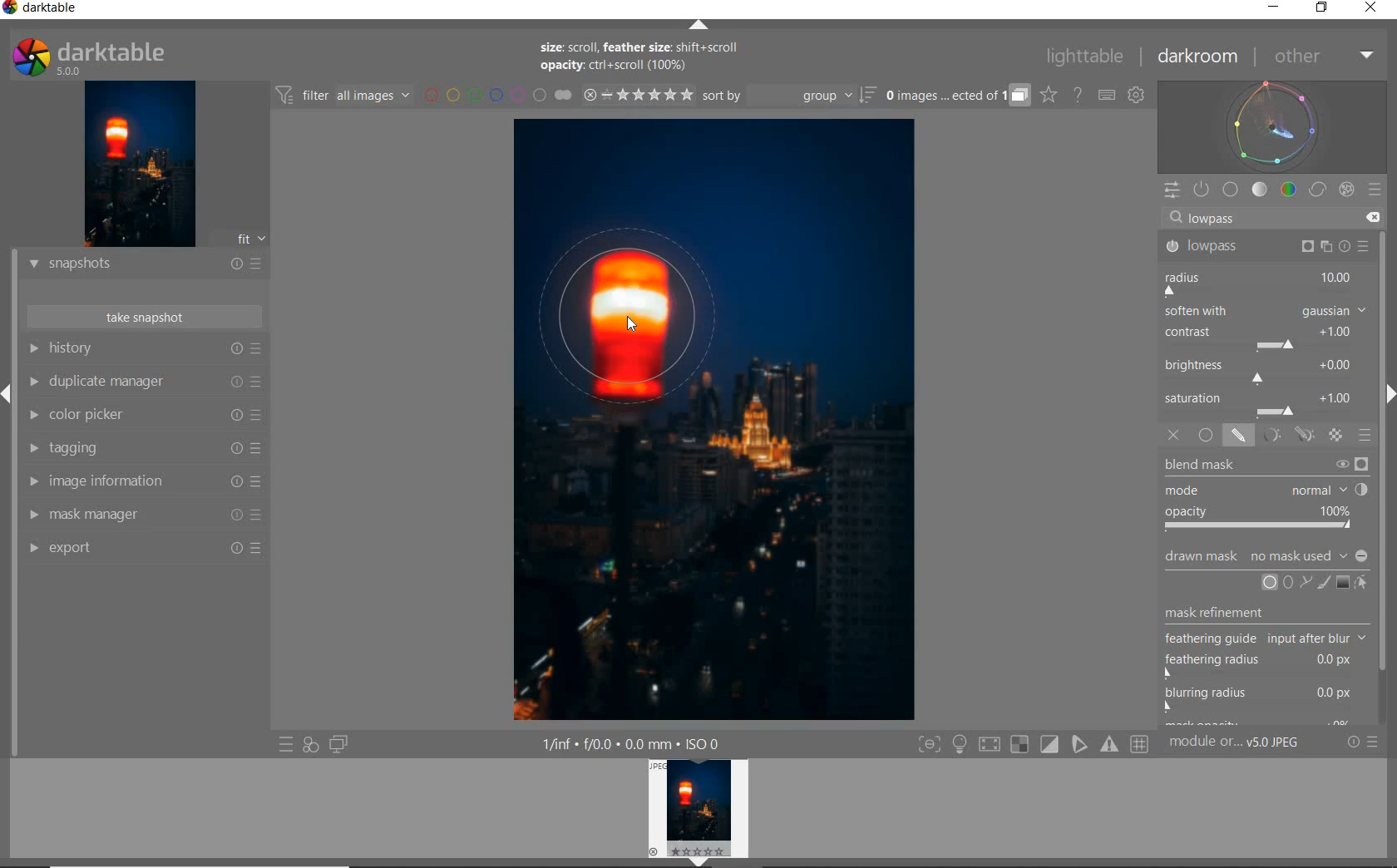 Image resolution: width=1397 pixels, height=868 pixels. I want to click on SOFTEN WITH, so click(1266, 312).